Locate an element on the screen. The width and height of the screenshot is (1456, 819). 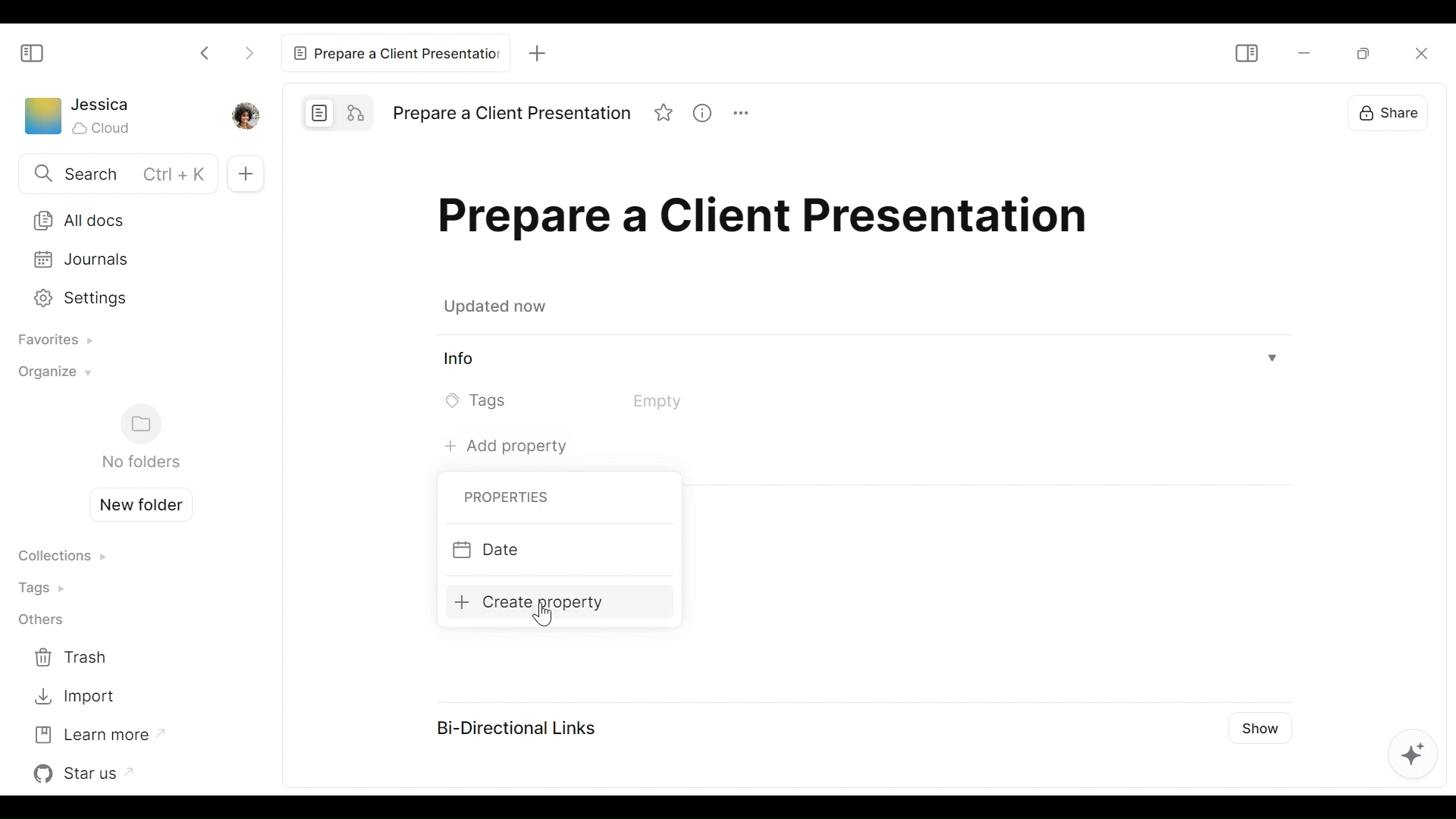
Tags is located at coordinates (585, 400).